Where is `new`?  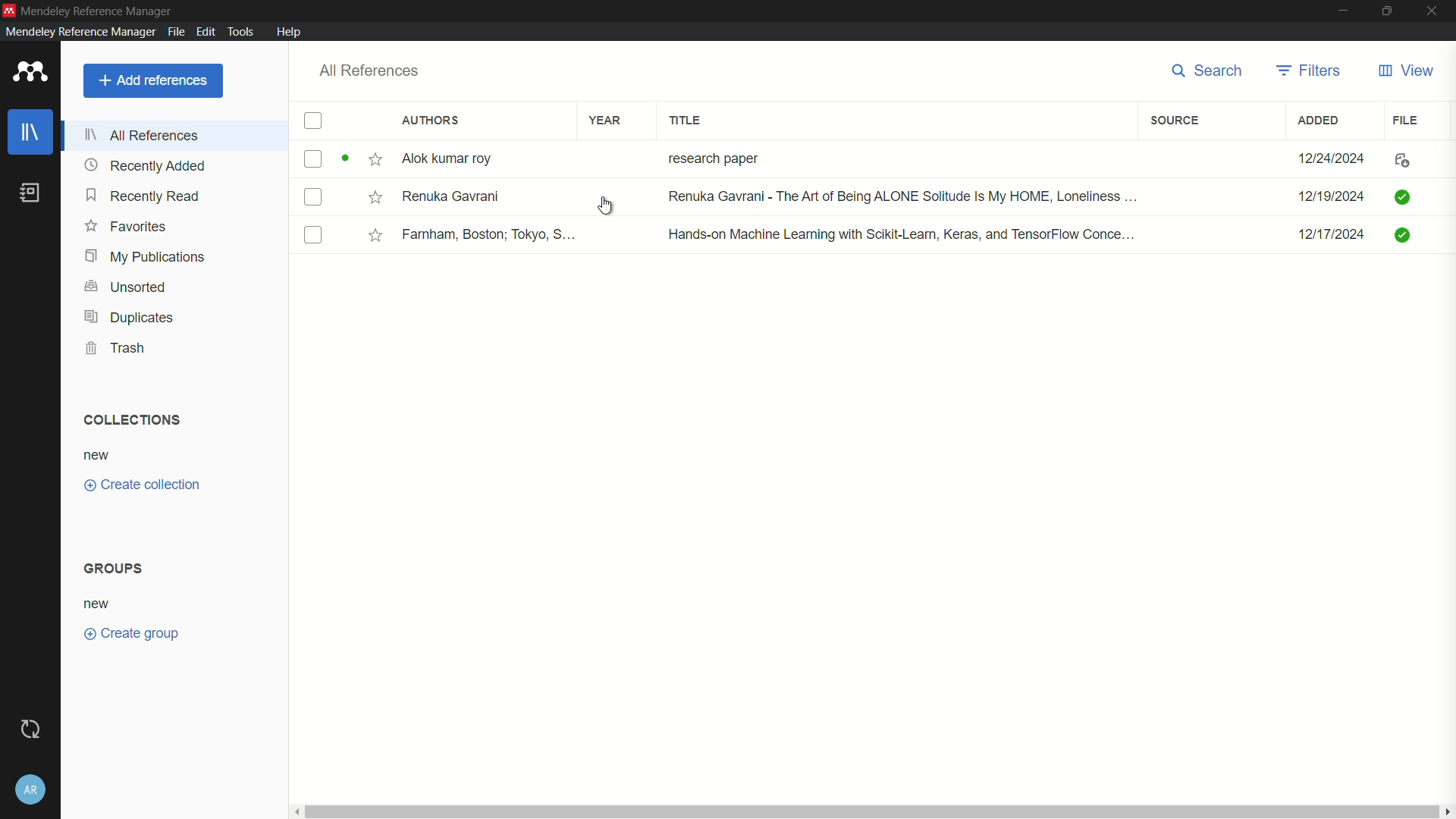
new is located at coordinates (99, 457).